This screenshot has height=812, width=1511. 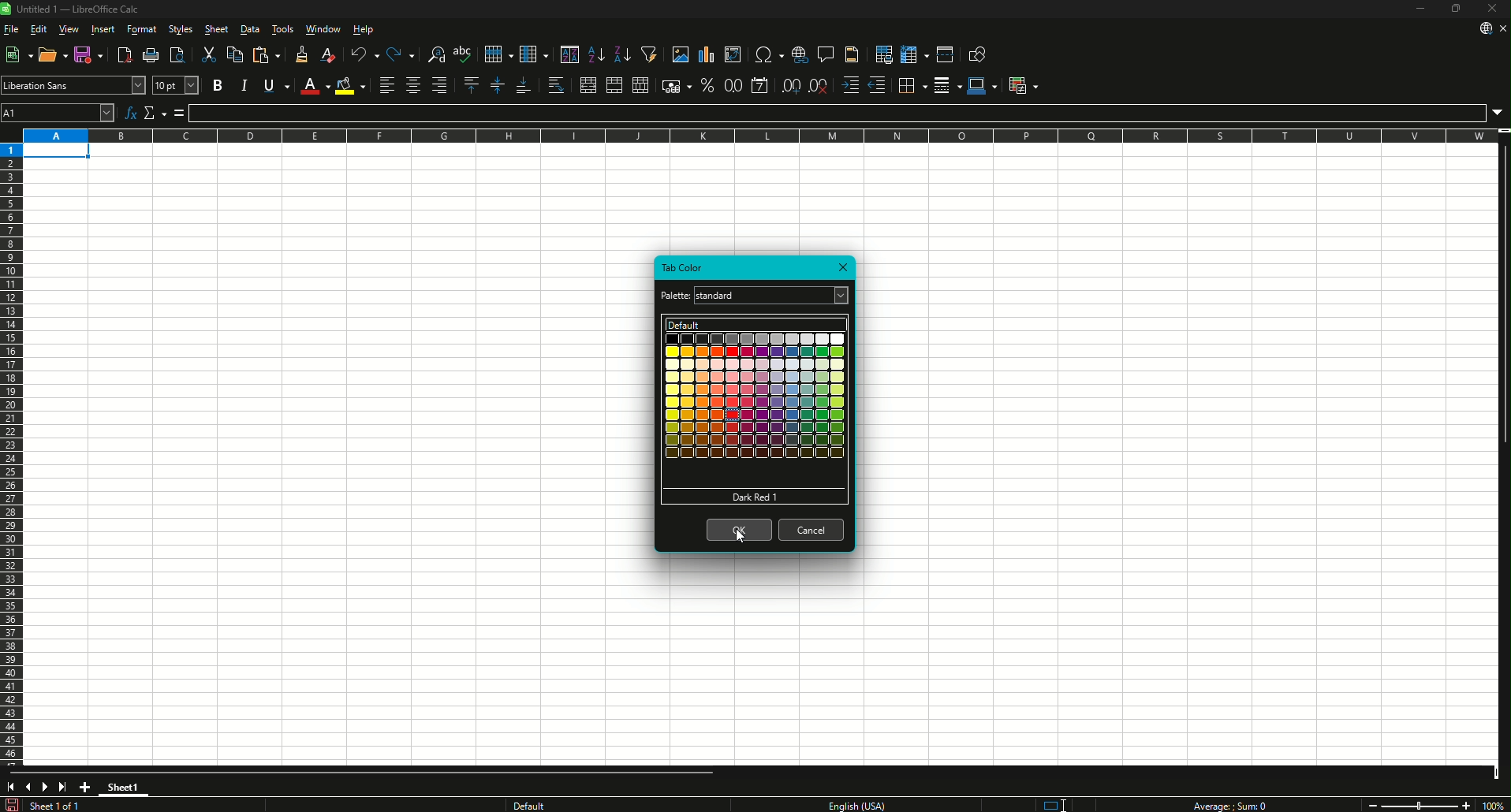 What do you see at coordinates (125, 54) in the screenshot?
I see `Export Directly as PDF` at bounding box center [125, 54].